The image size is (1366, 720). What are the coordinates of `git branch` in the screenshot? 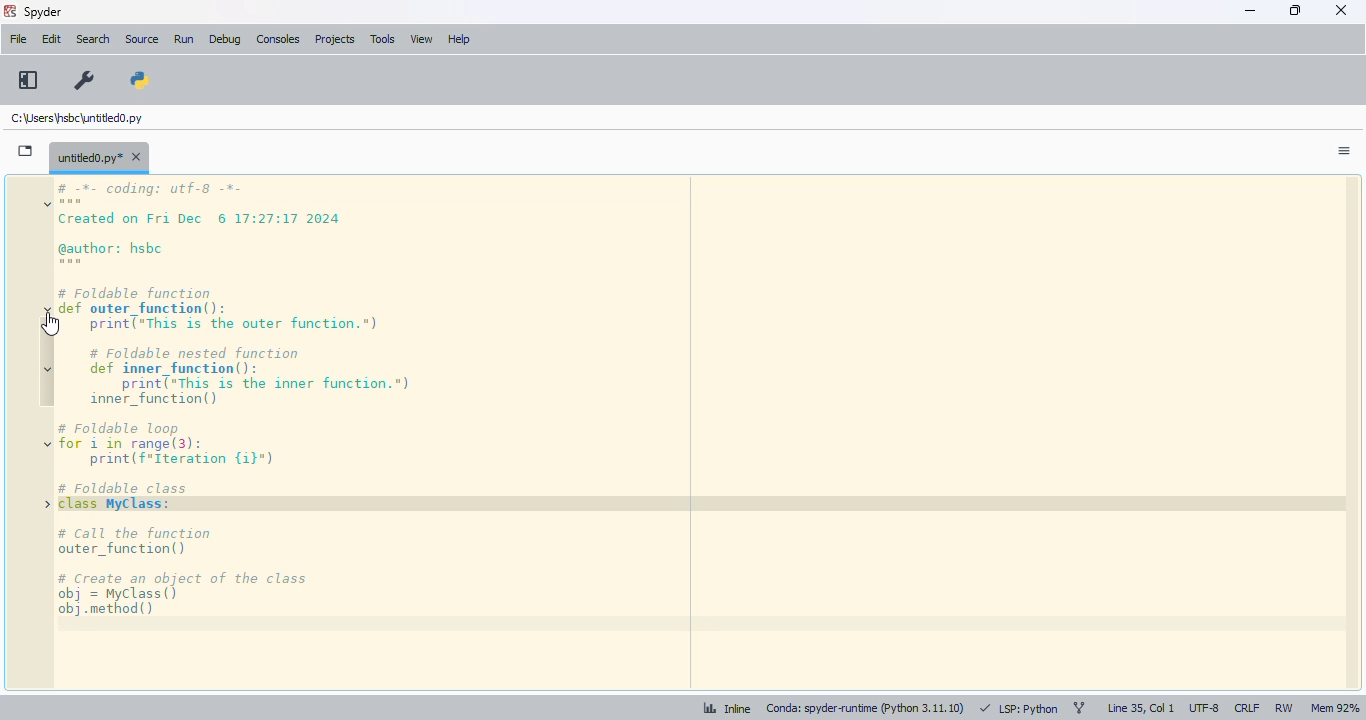 It's located at (1079, 709).